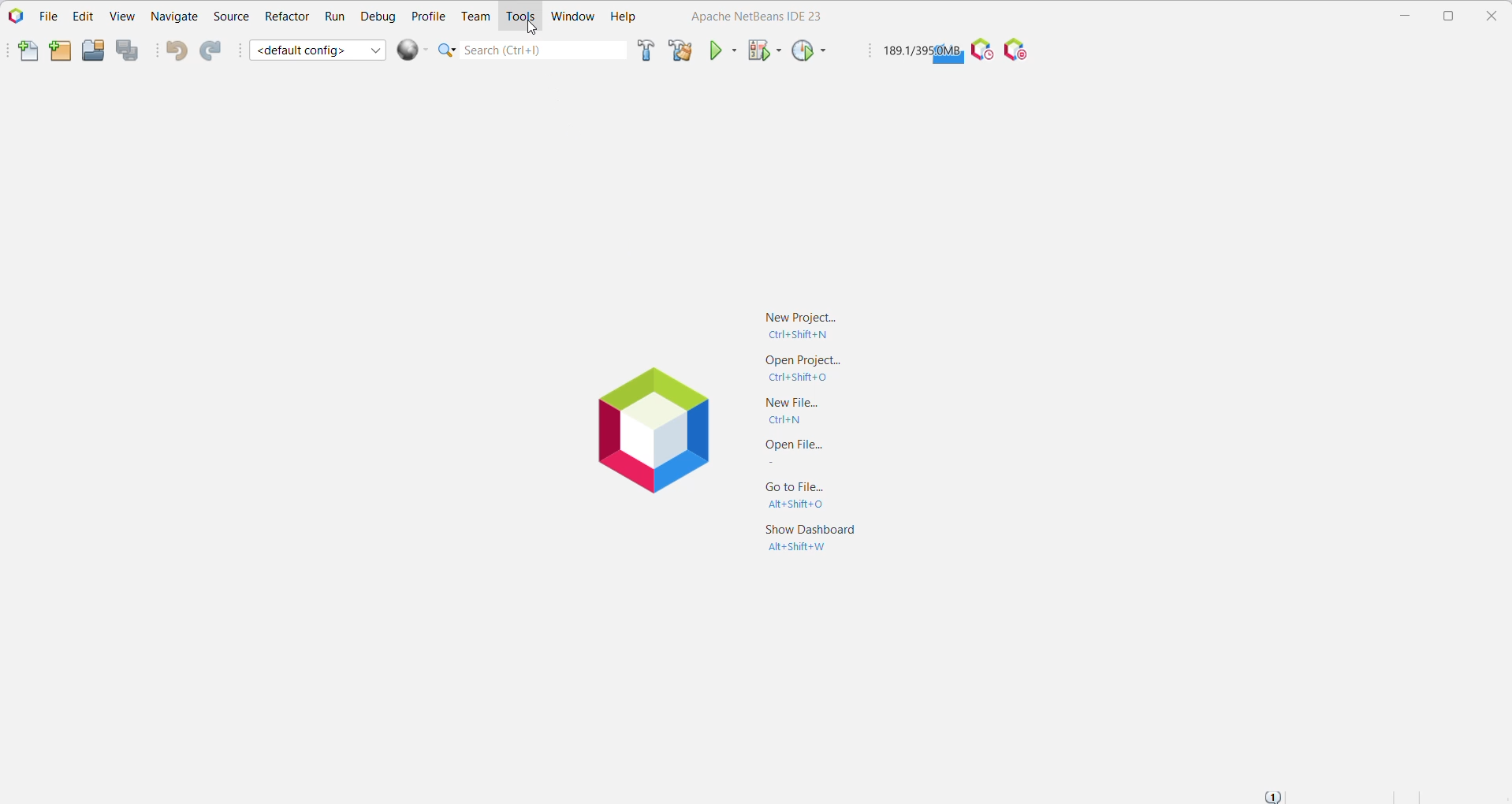 The width and height of the screenshot is (1512, 804). What do you see at coordinates (795, 409) in the screenshot?
I see `New File` at bounding box center [795, 409].